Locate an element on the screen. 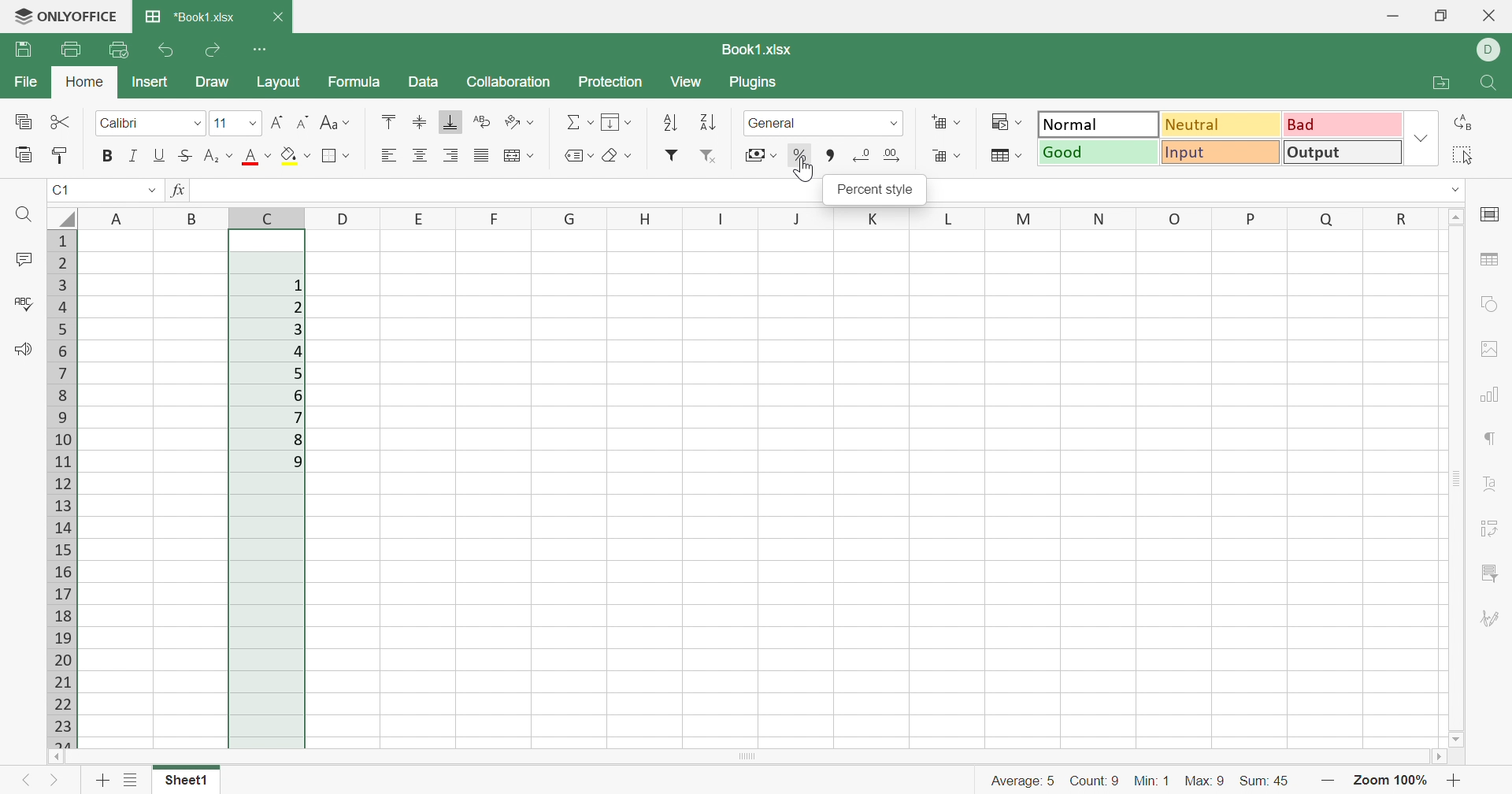 This screenshot has width=1512, height=794. Cell settings is located at coordinates (1493, 215).